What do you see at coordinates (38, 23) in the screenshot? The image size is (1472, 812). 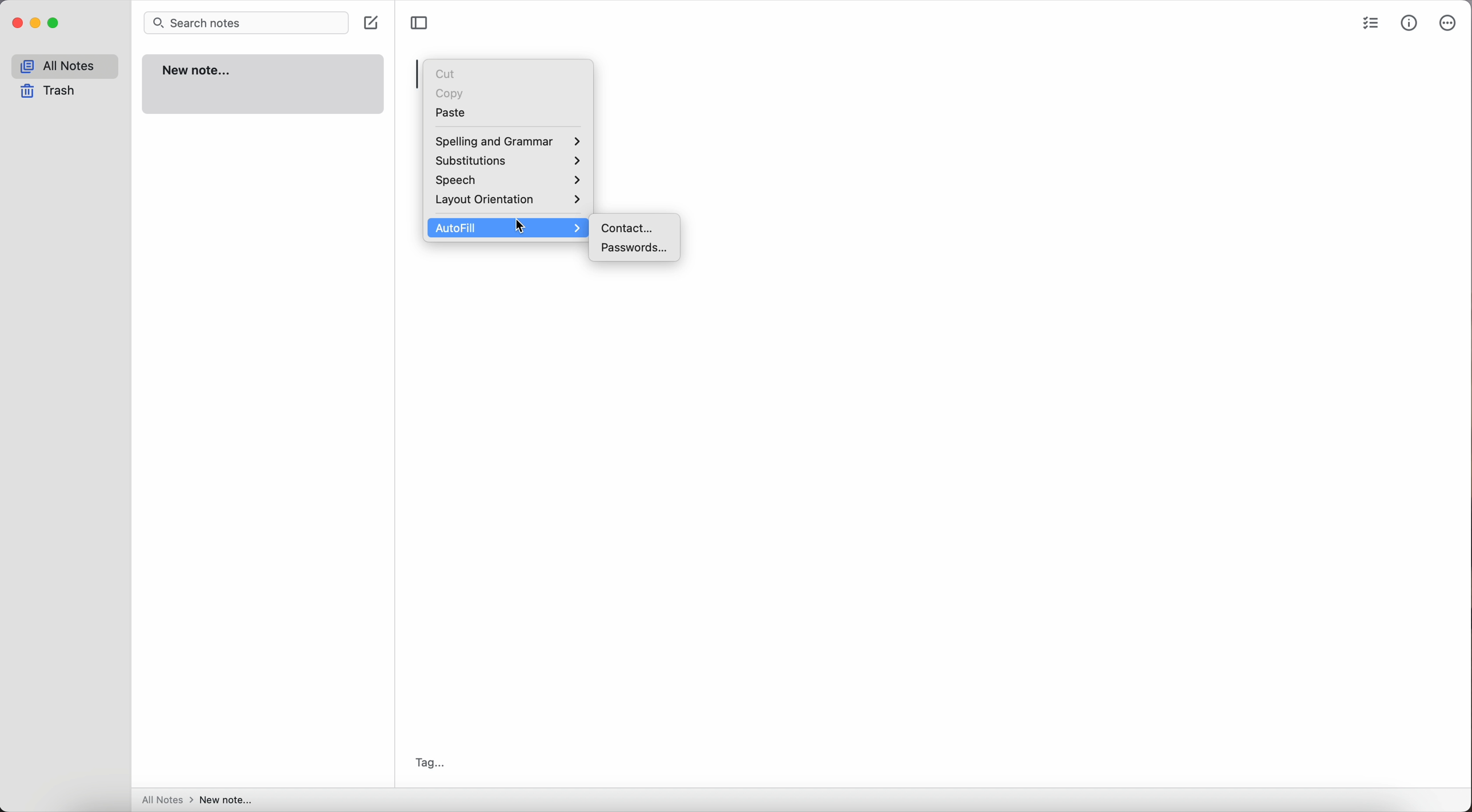 I see `minimize Simplenote` at bounding box center [38, 23].